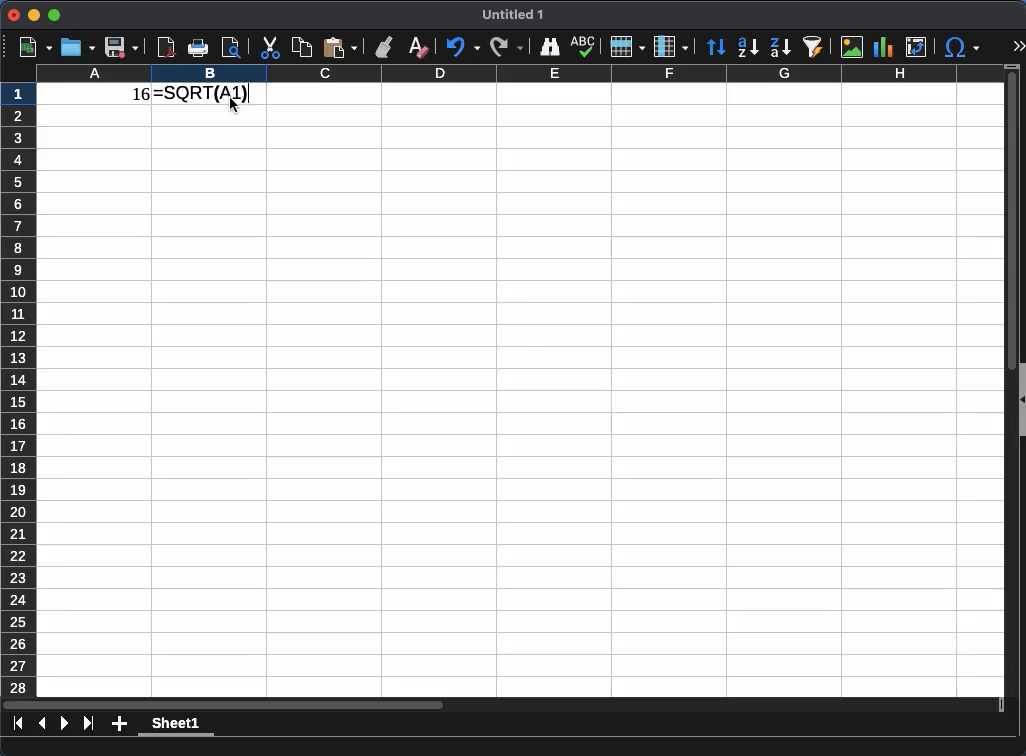 The image size is (1026, 756). Describe the element at coordinates (301, 47) in the screenshot. I see `copy` at that location.